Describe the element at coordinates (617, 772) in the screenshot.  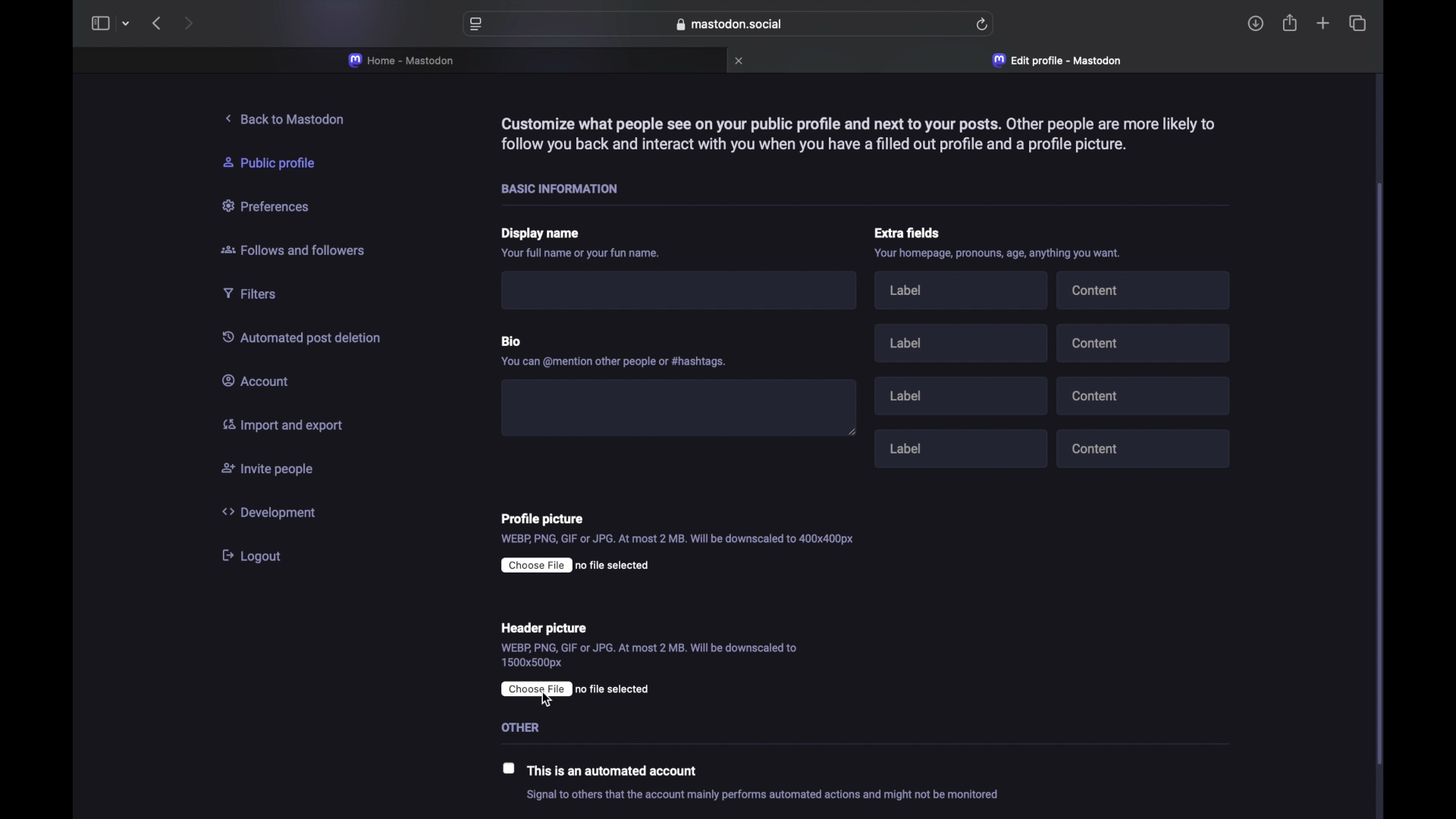
I see `this is an automated account` at that location.